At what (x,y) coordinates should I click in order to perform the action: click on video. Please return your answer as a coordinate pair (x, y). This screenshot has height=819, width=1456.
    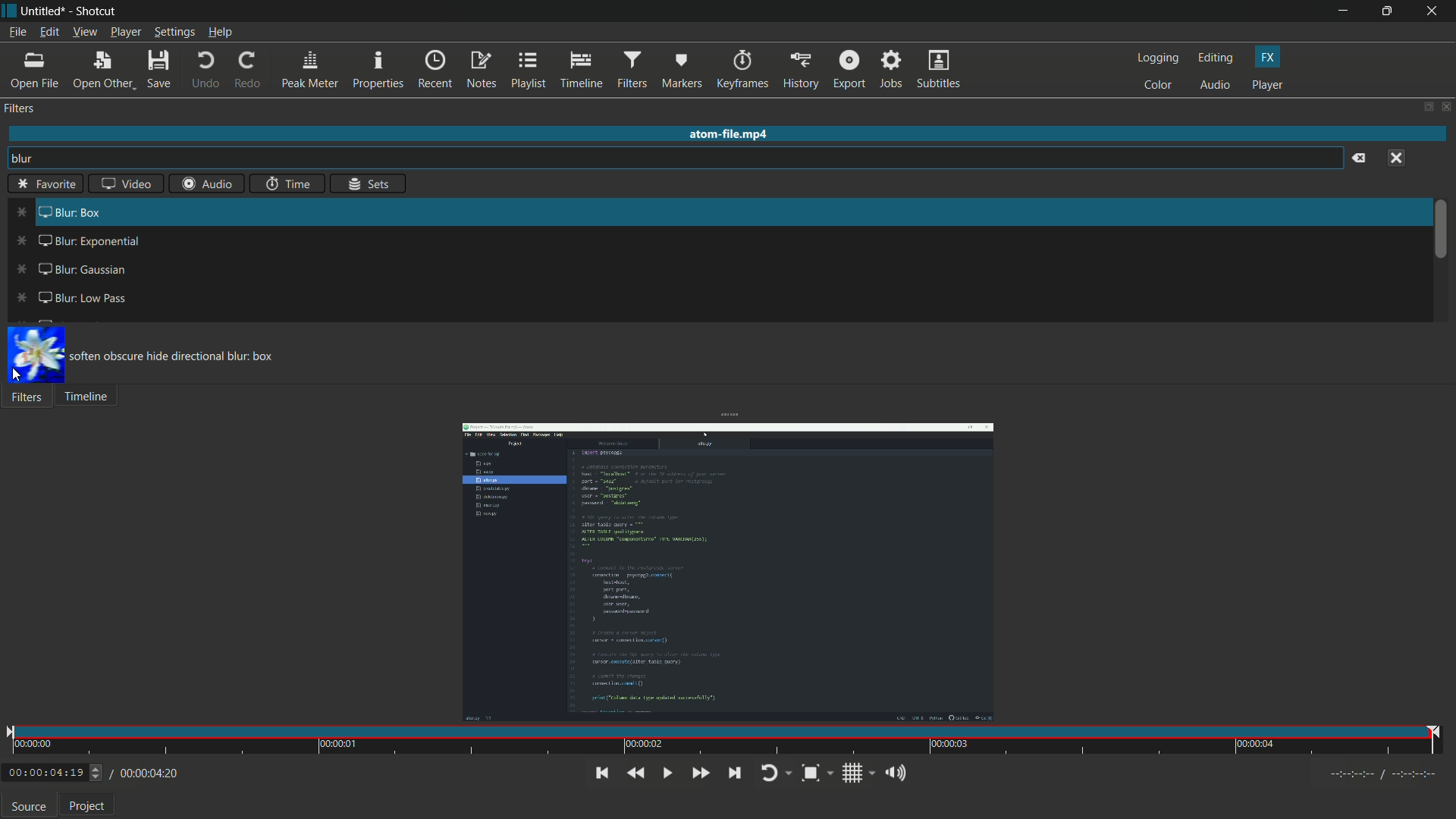
    Looking at the image, I should click on (124, 183).